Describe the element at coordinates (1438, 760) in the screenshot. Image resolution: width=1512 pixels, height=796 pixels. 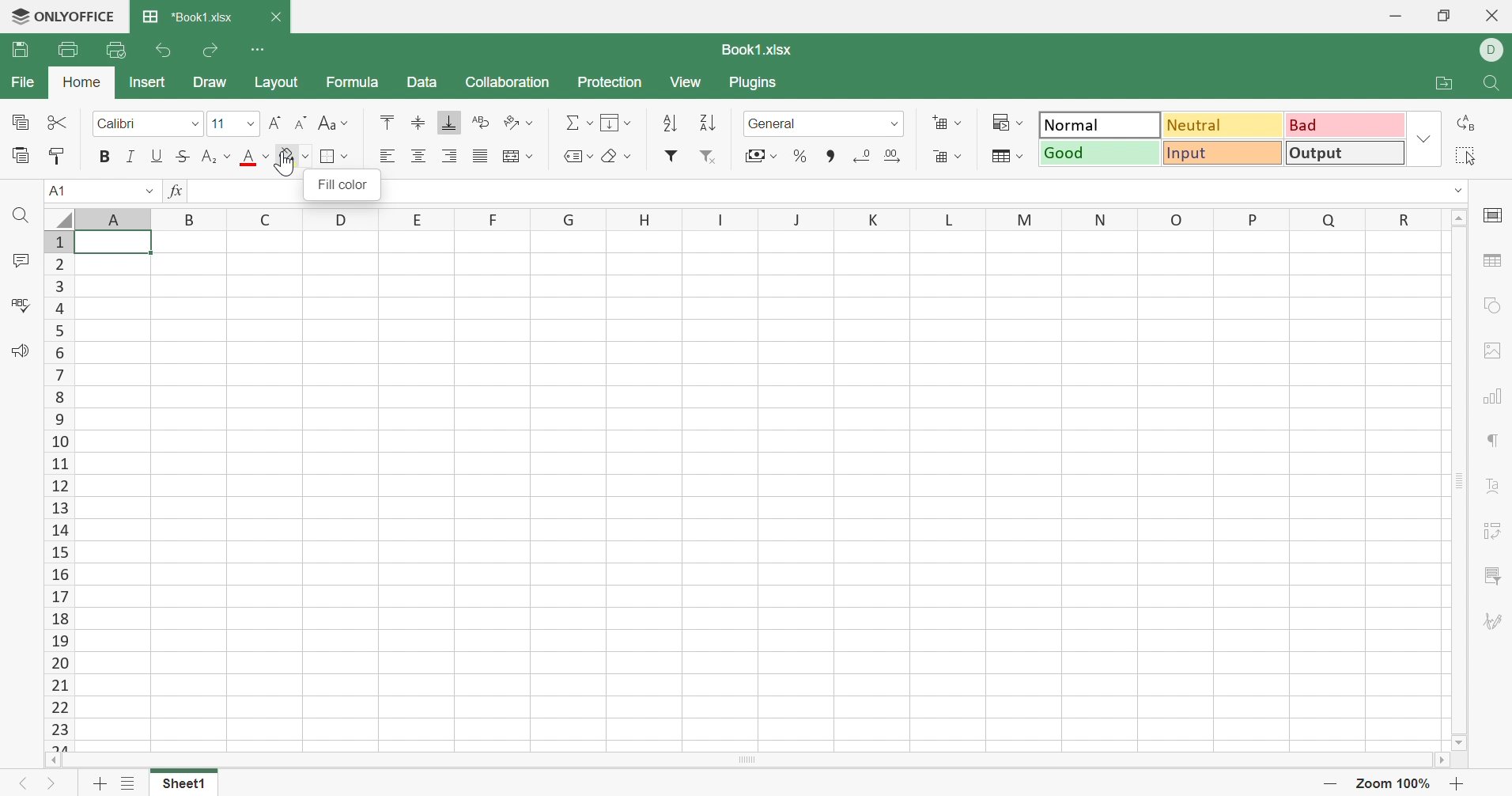
I see `Scroll Right` at that location.